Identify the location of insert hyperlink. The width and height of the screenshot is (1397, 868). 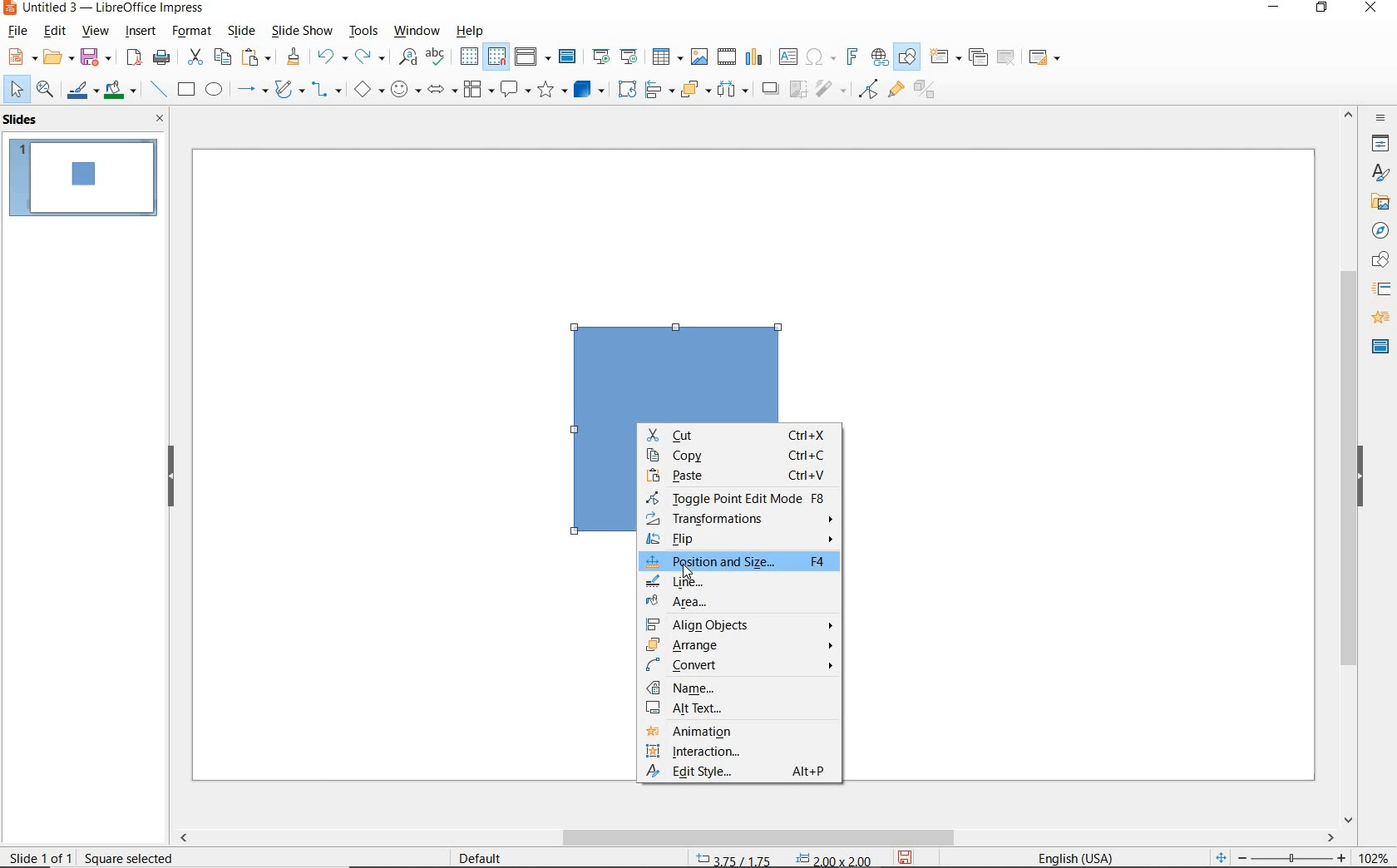
(878, 56).